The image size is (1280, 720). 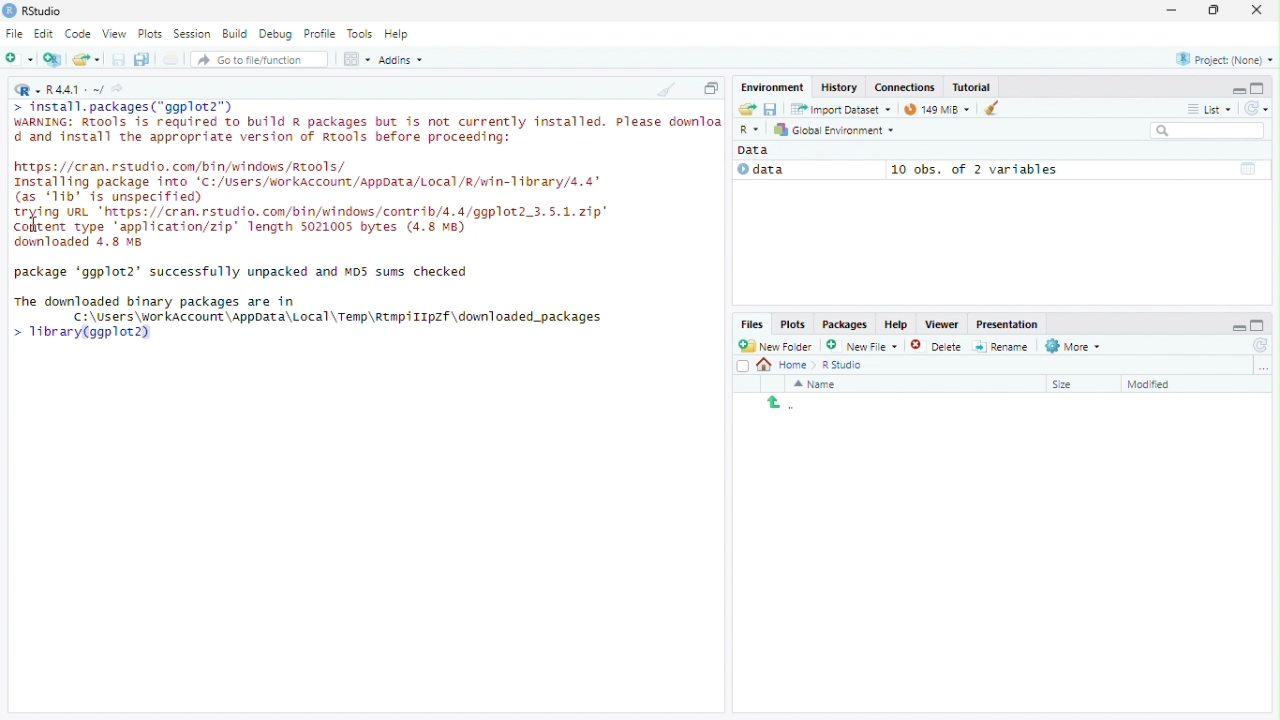 What do you see at coordinates (193, 33) in the screenshot?
I see `Session` at bounding box center [193, 33].